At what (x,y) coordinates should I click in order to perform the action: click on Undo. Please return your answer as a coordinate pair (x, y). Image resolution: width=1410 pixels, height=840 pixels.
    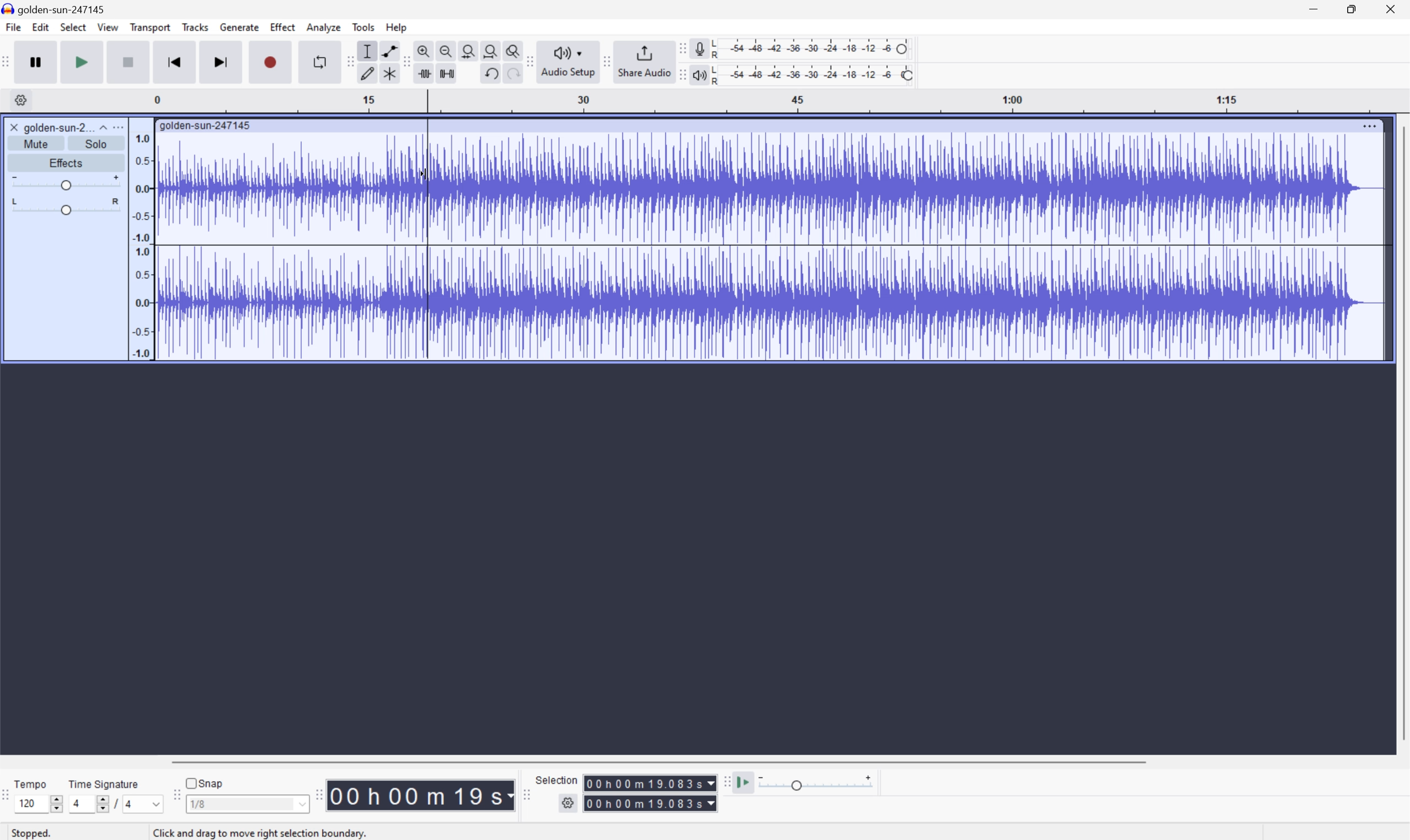
    Looking at the image, I should click on (489, 72).